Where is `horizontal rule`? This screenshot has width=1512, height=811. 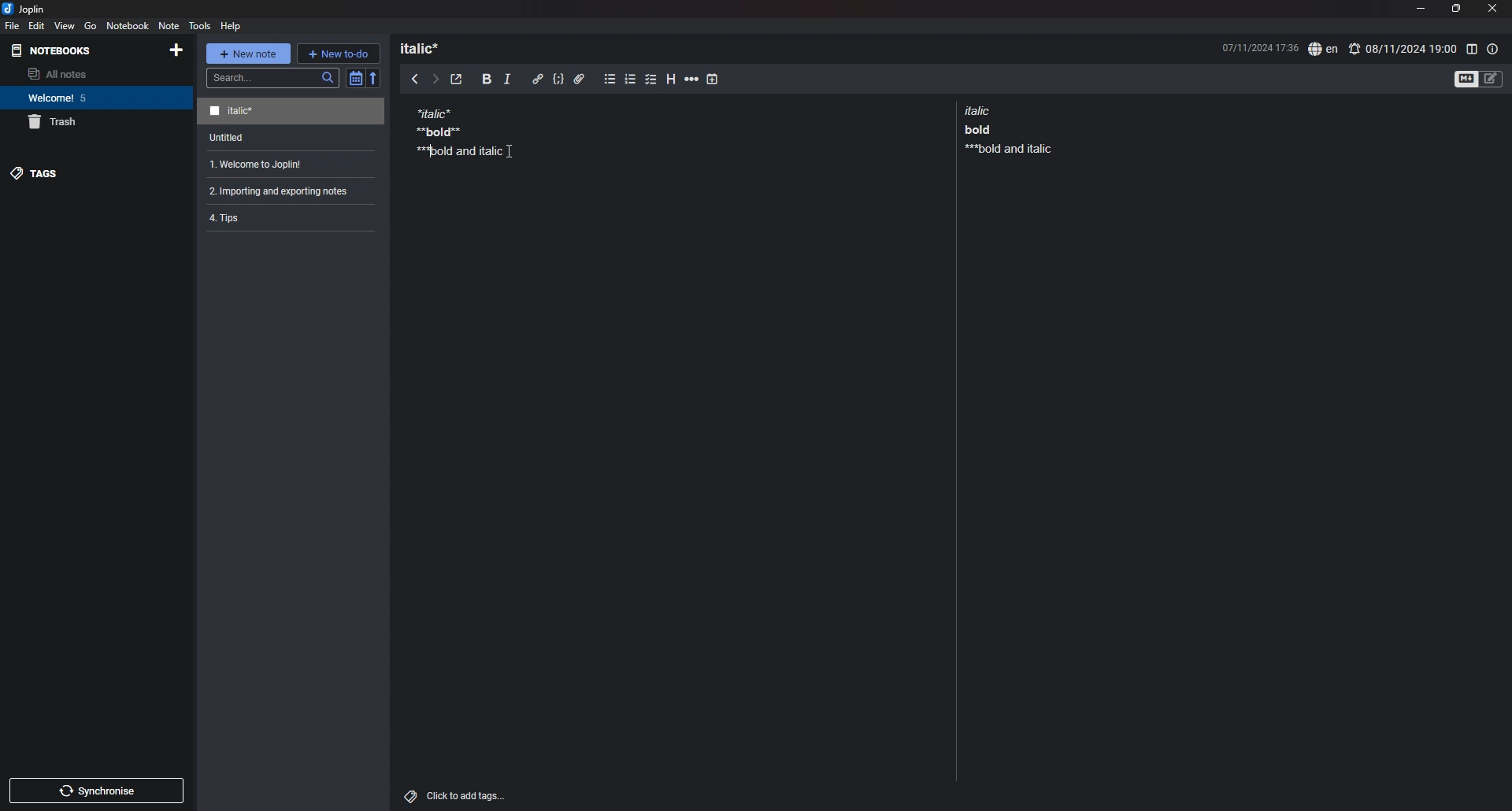 horizontal rule is located at coordinates (691, 81).